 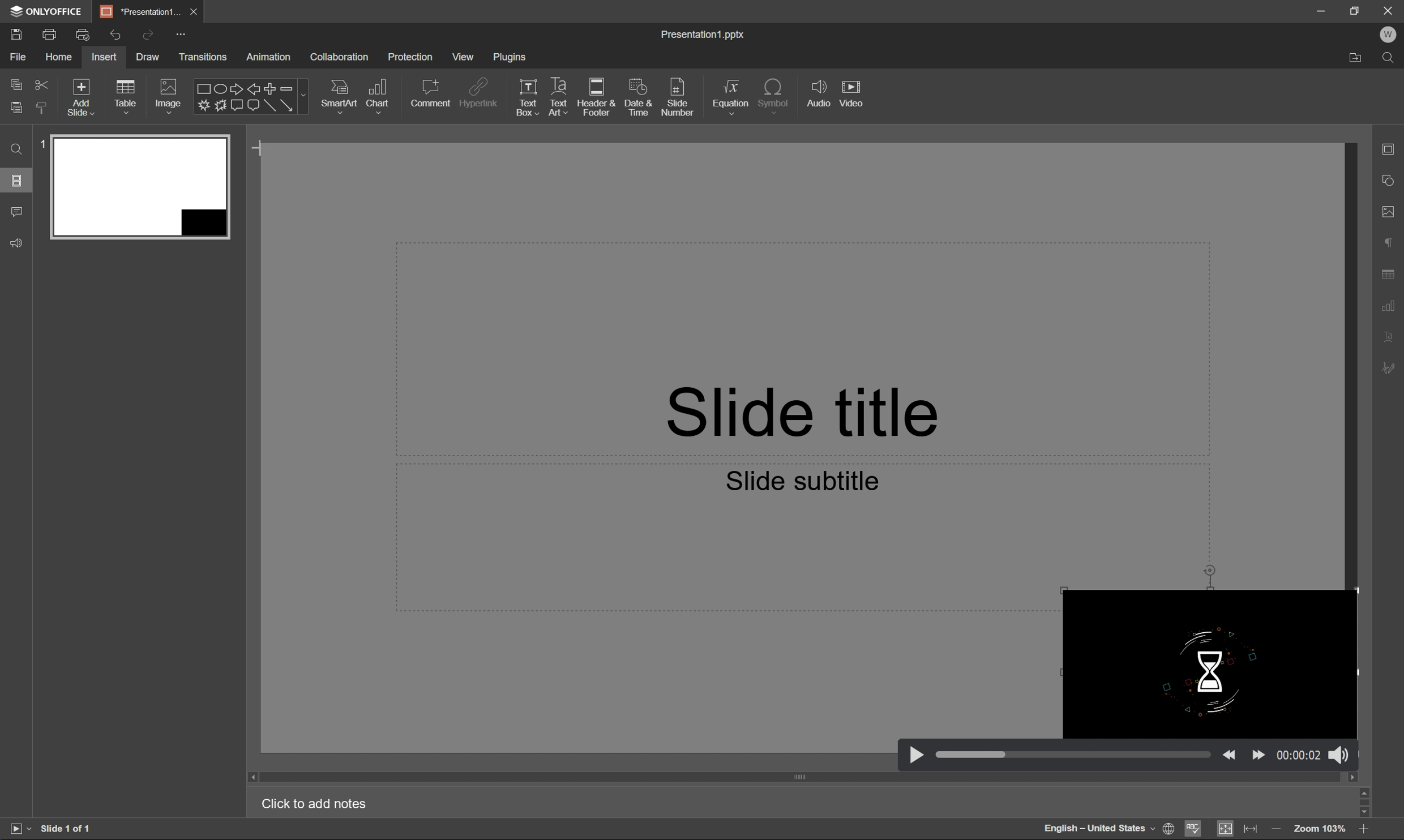 I want to click on zoom in, so click(x=1277, y=830).